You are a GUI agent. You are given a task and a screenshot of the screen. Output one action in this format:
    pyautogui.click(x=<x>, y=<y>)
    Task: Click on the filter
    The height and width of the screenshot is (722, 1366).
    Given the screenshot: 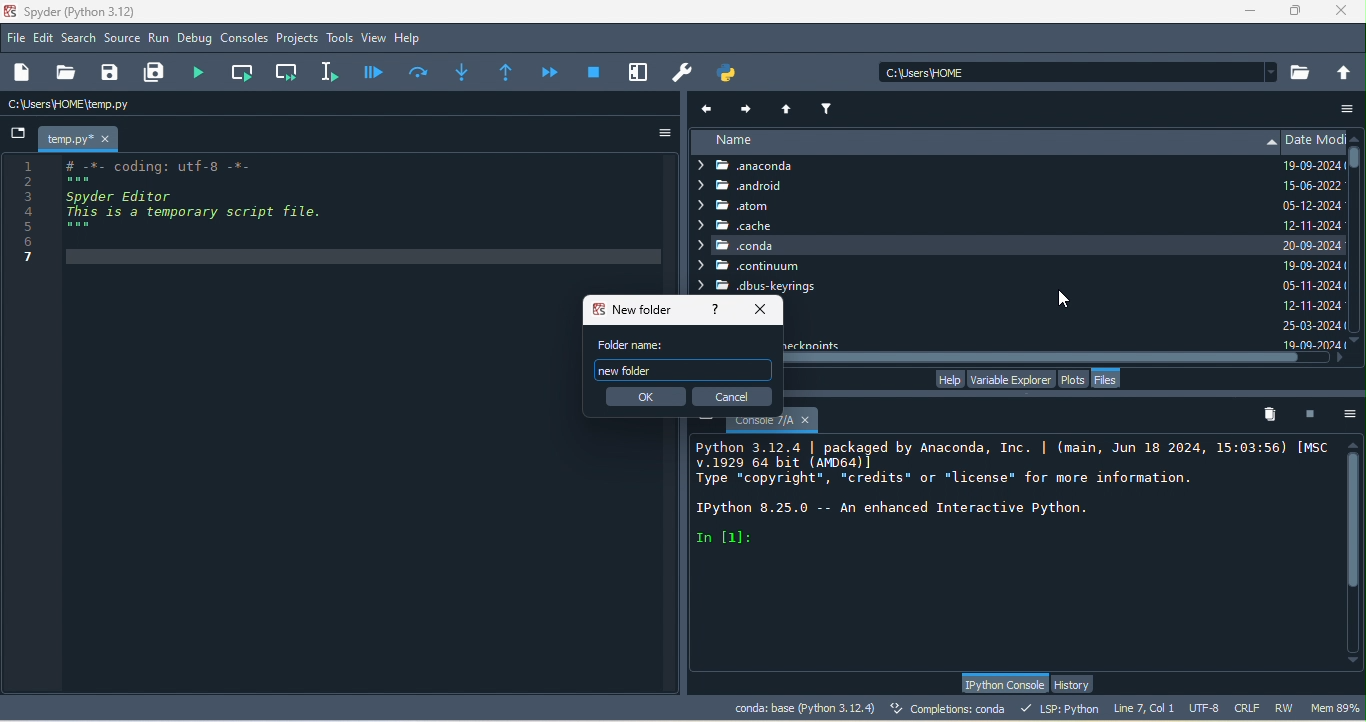 What is the action you would take?
    pyautogui.click(x=829, y=106)
    